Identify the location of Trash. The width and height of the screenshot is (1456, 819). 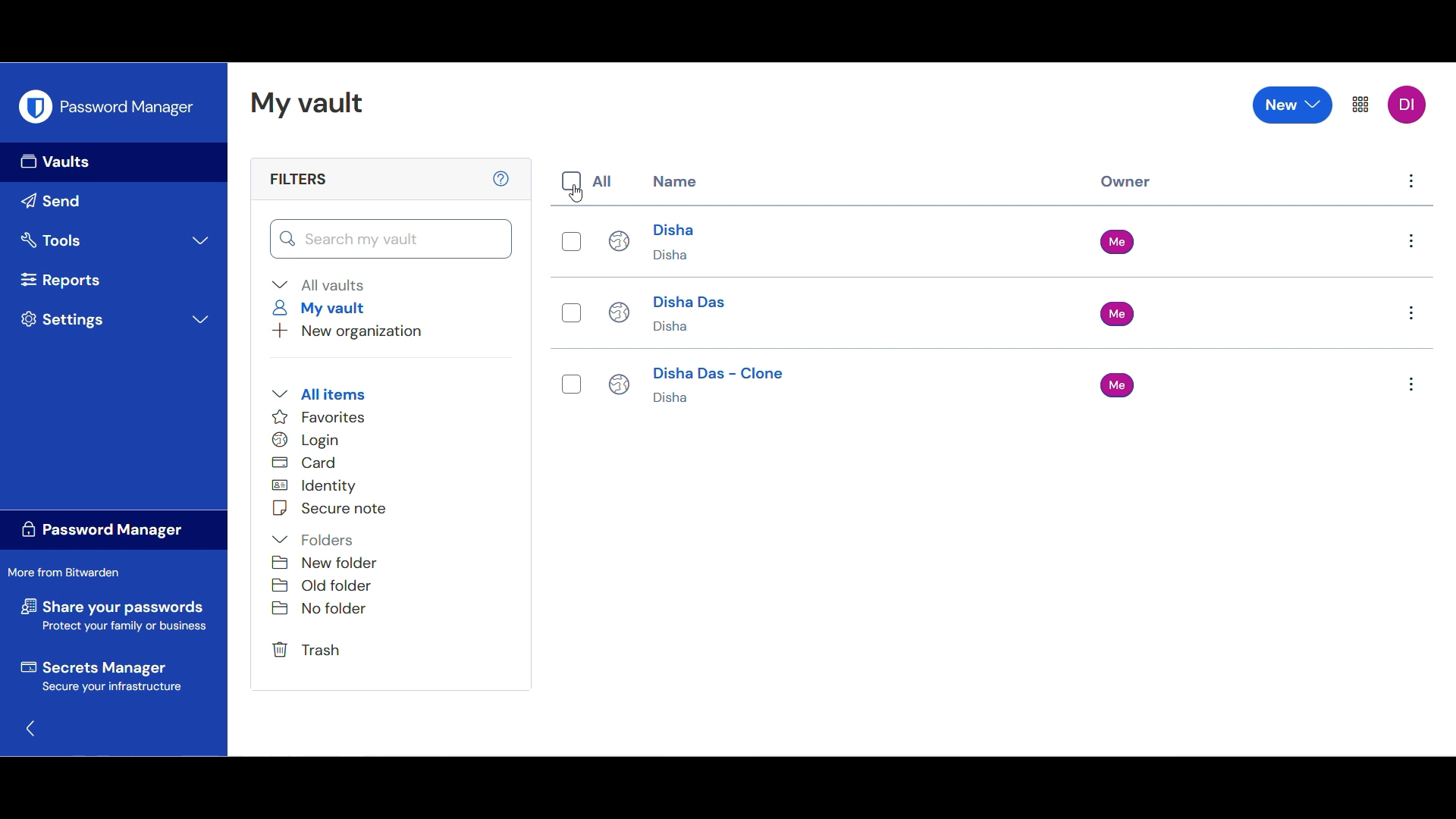
(309, 651).